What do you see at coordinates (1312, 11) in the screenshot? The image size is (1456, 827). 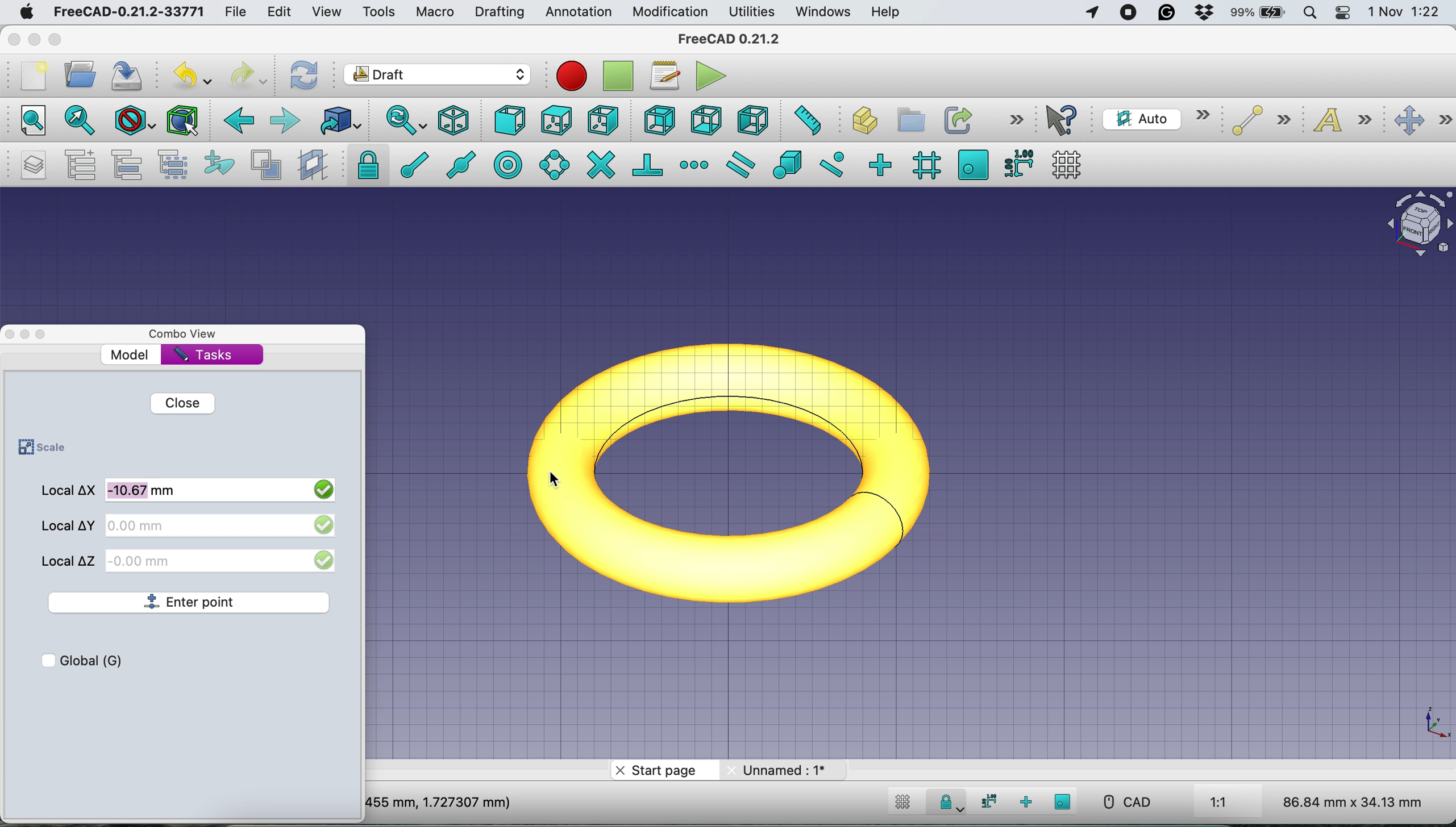 I see `spotlight search` at bounding box center [1312, 11].